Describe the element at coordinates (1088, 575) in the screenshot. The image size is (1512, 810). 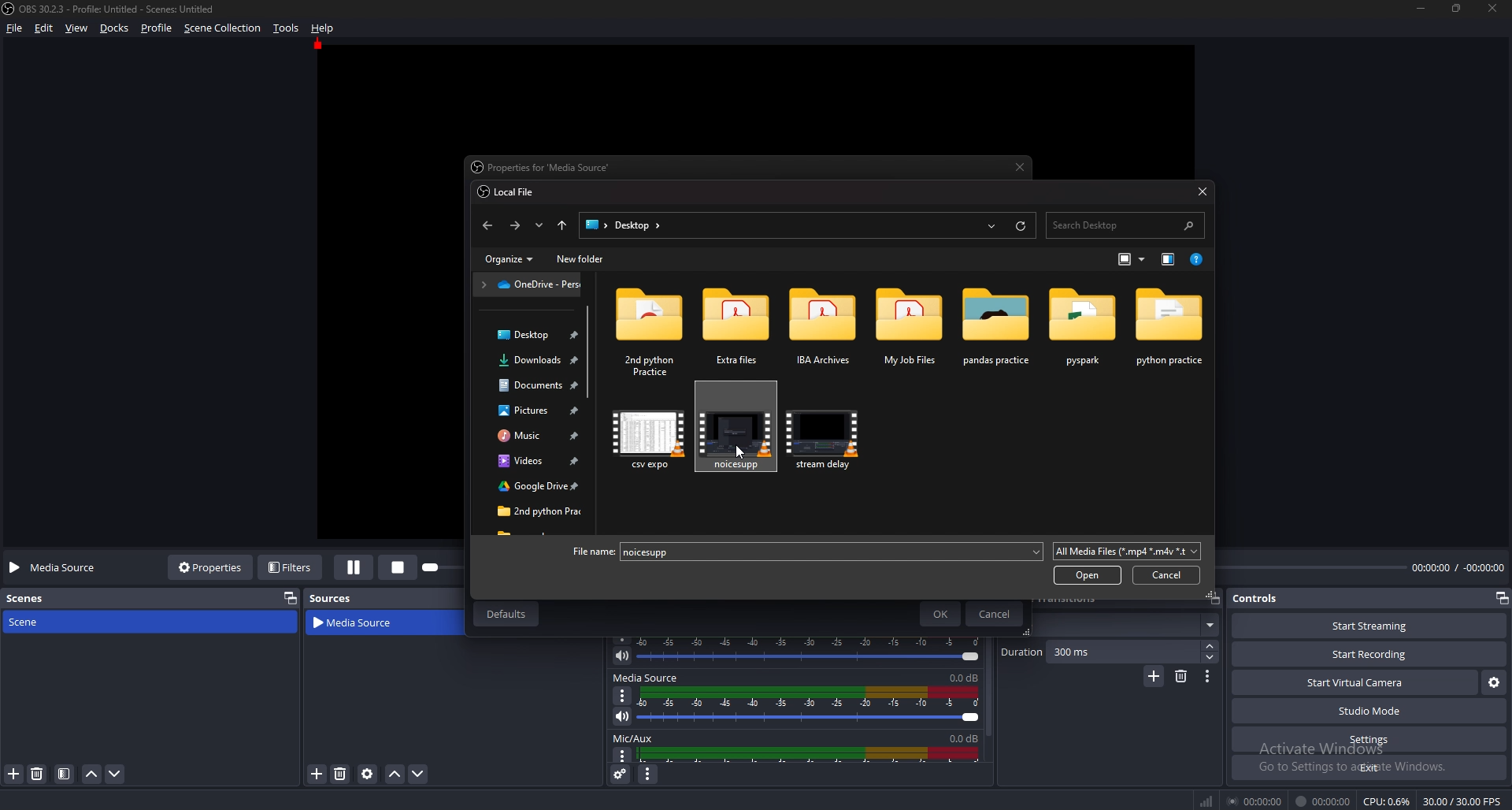
I see `Open` at that location.